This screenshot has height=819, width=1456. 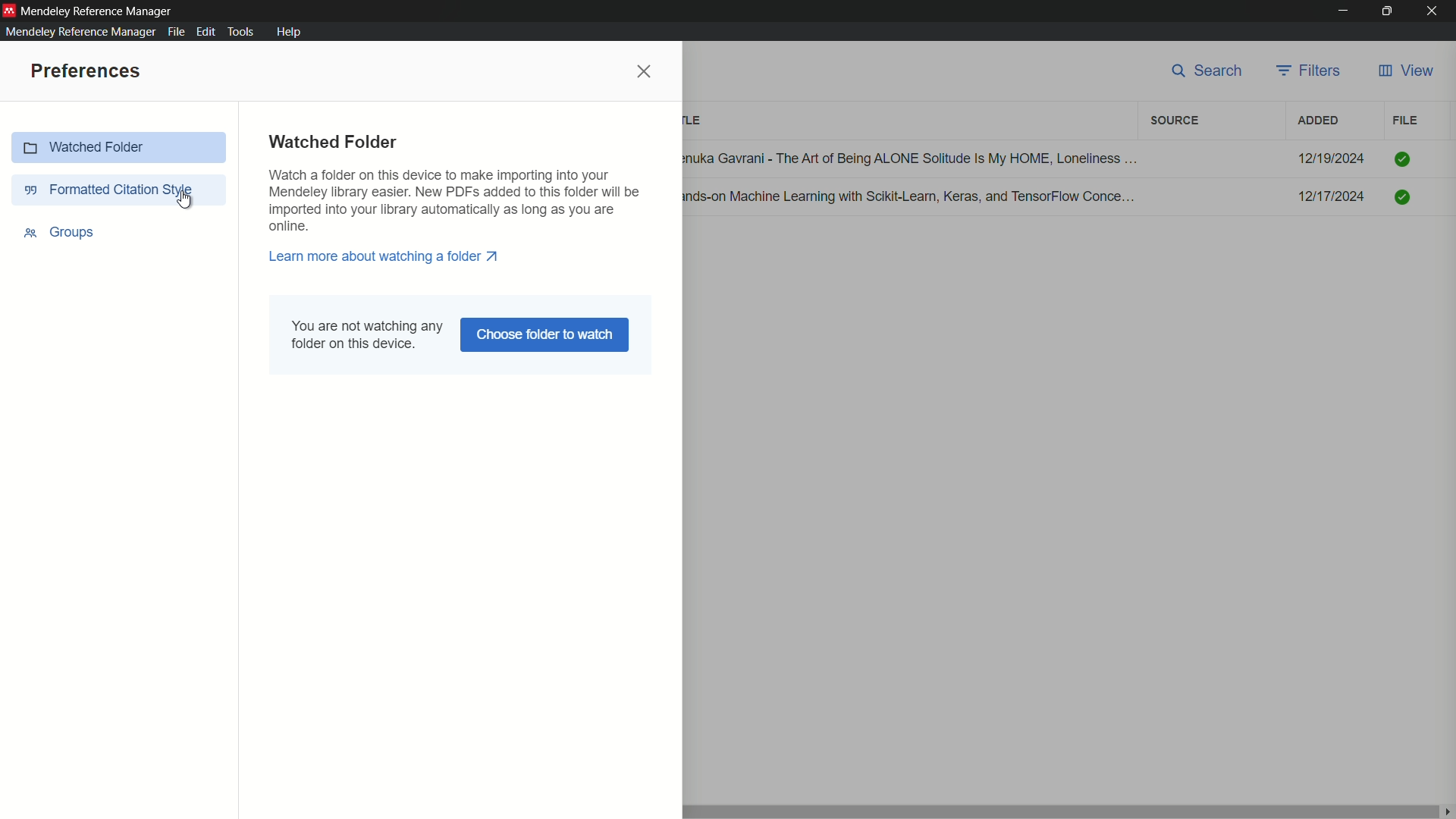 I want to click on maximize, so click(x=1389, y=11).